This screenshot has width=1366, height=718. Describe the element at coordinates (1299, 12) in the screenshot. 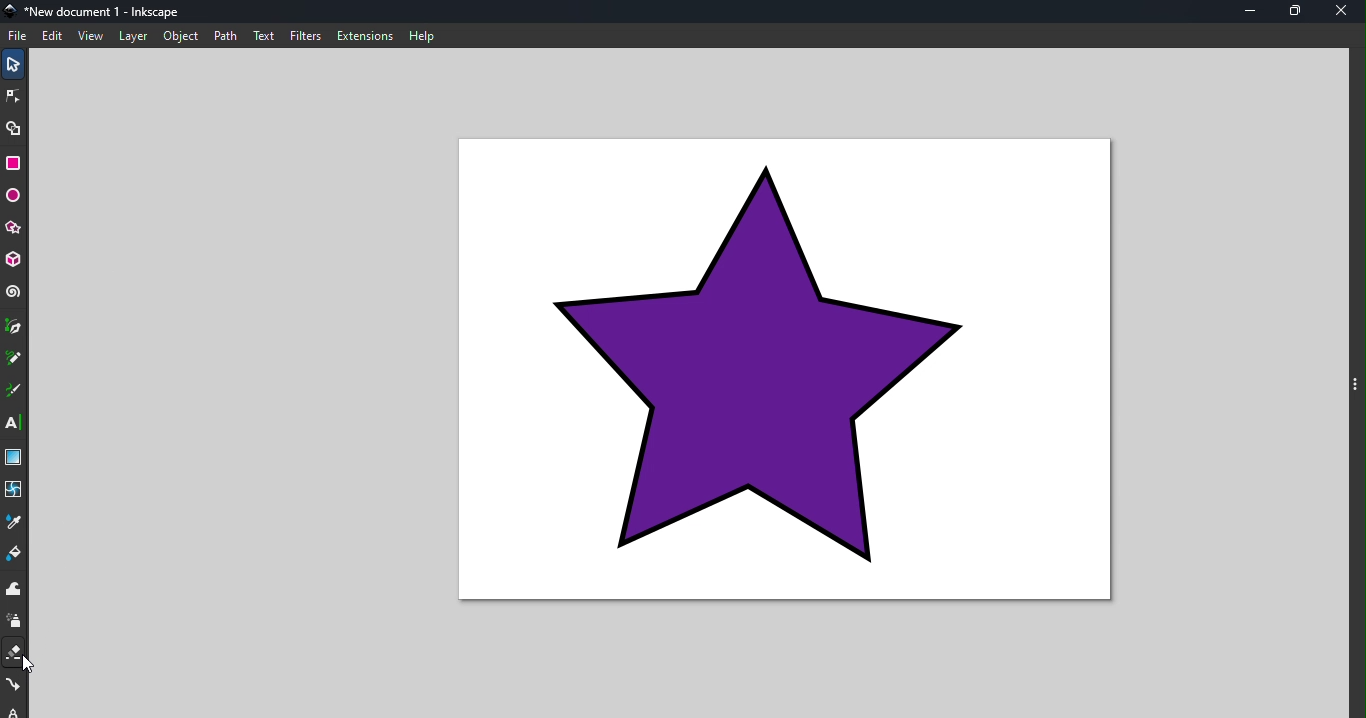

I see `maximize` at that location.